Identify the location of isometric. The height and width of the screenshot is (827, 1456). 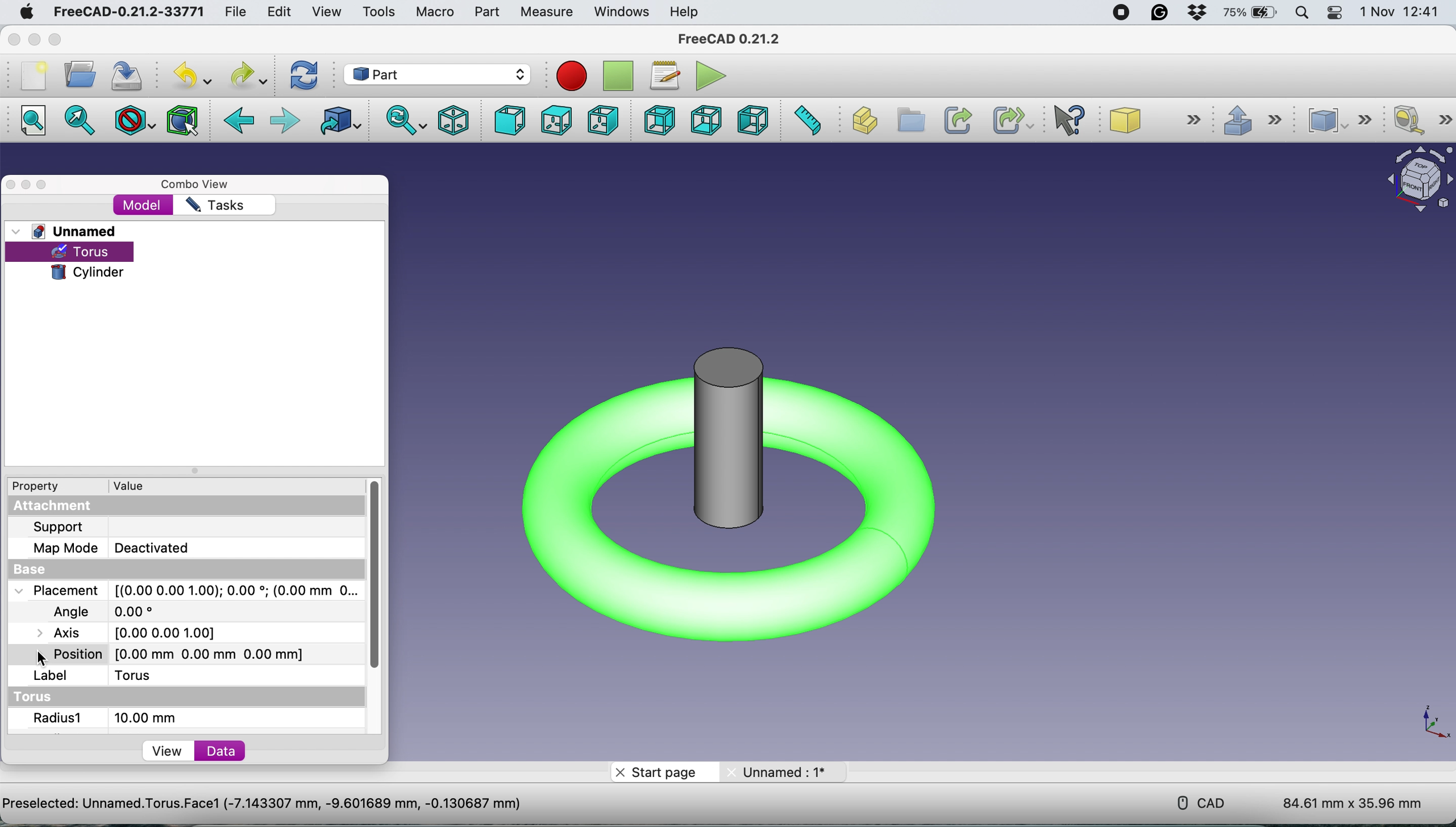
(456, 122).